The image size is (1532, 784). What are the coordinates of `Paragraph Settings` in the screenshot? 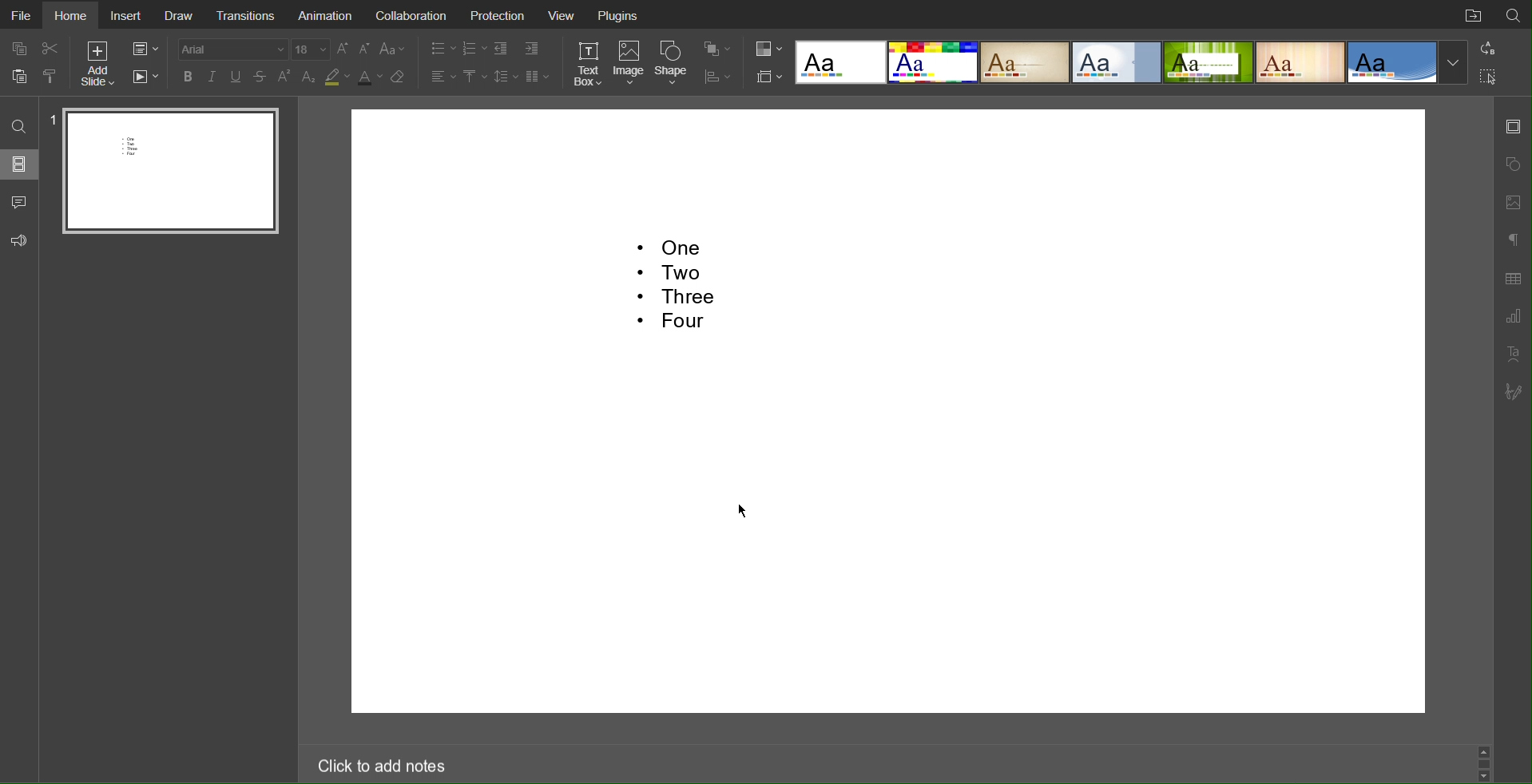 It's located at (1512, 240).